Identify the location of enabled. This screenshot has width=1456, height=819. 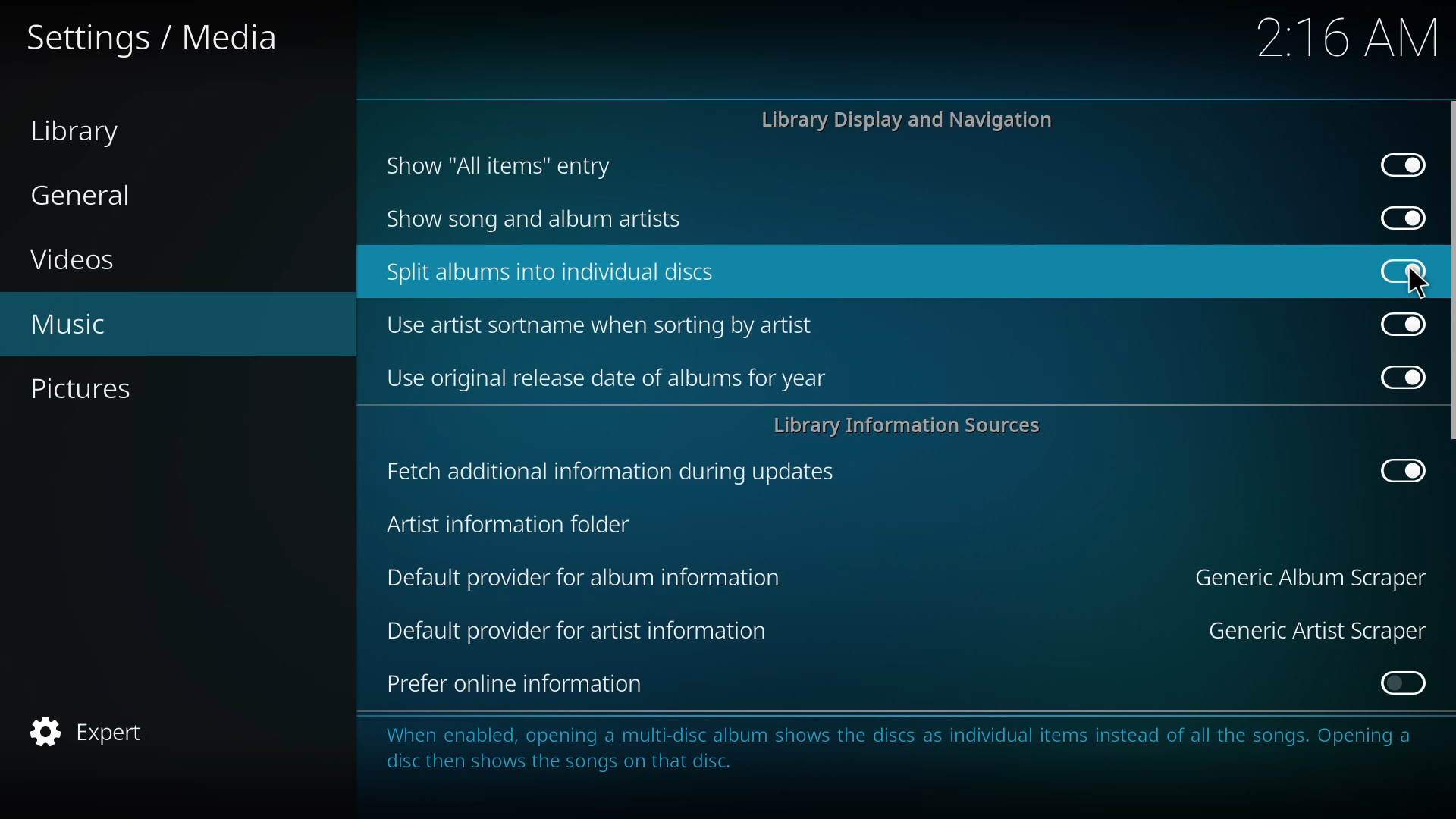
(1406, 270).